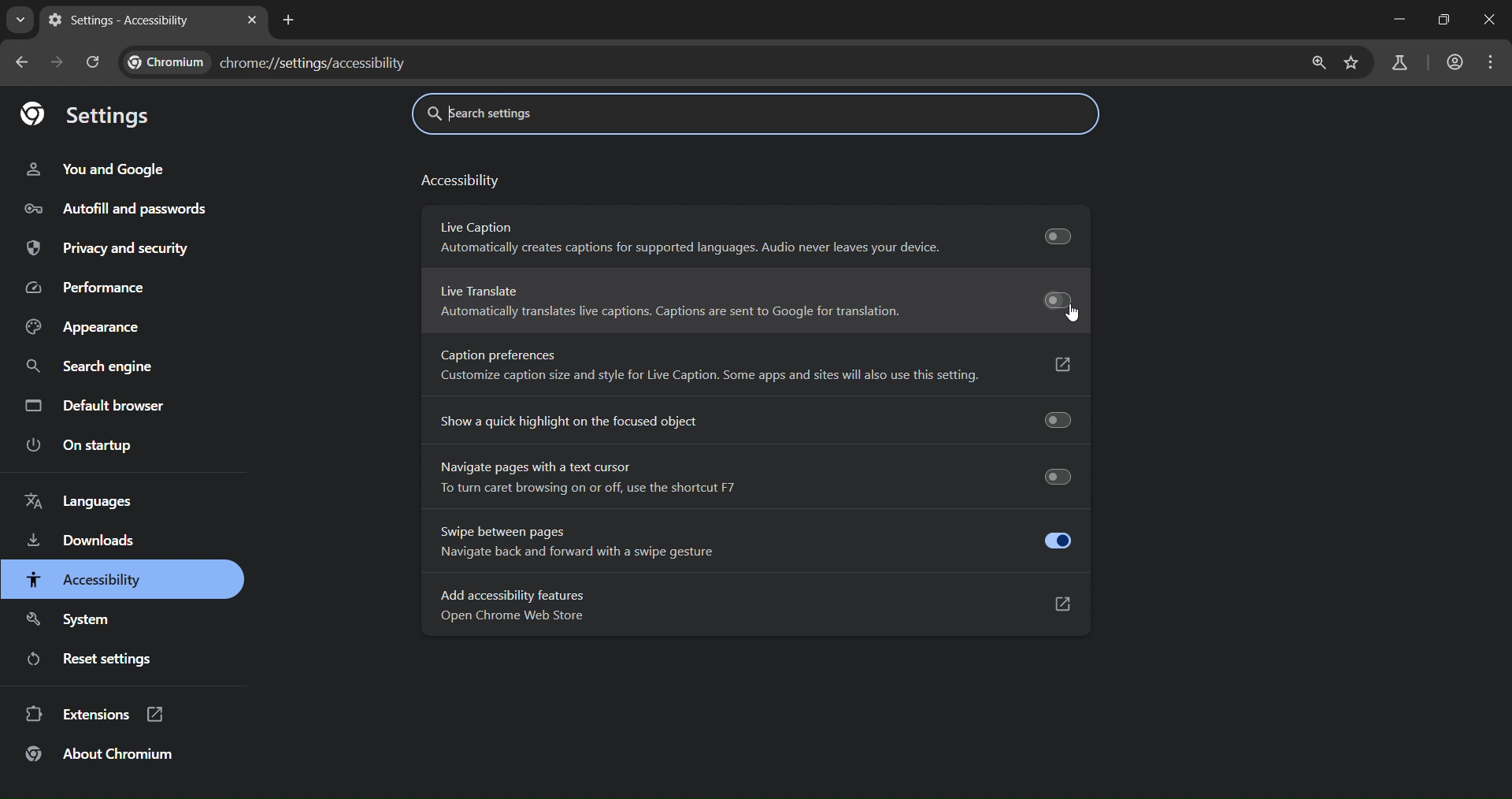 This screenshot has height=799, width=1512. I want to click on Live Translate
Automatically translates live captions. Captions are sent to Google for translation., so click(665, 303).